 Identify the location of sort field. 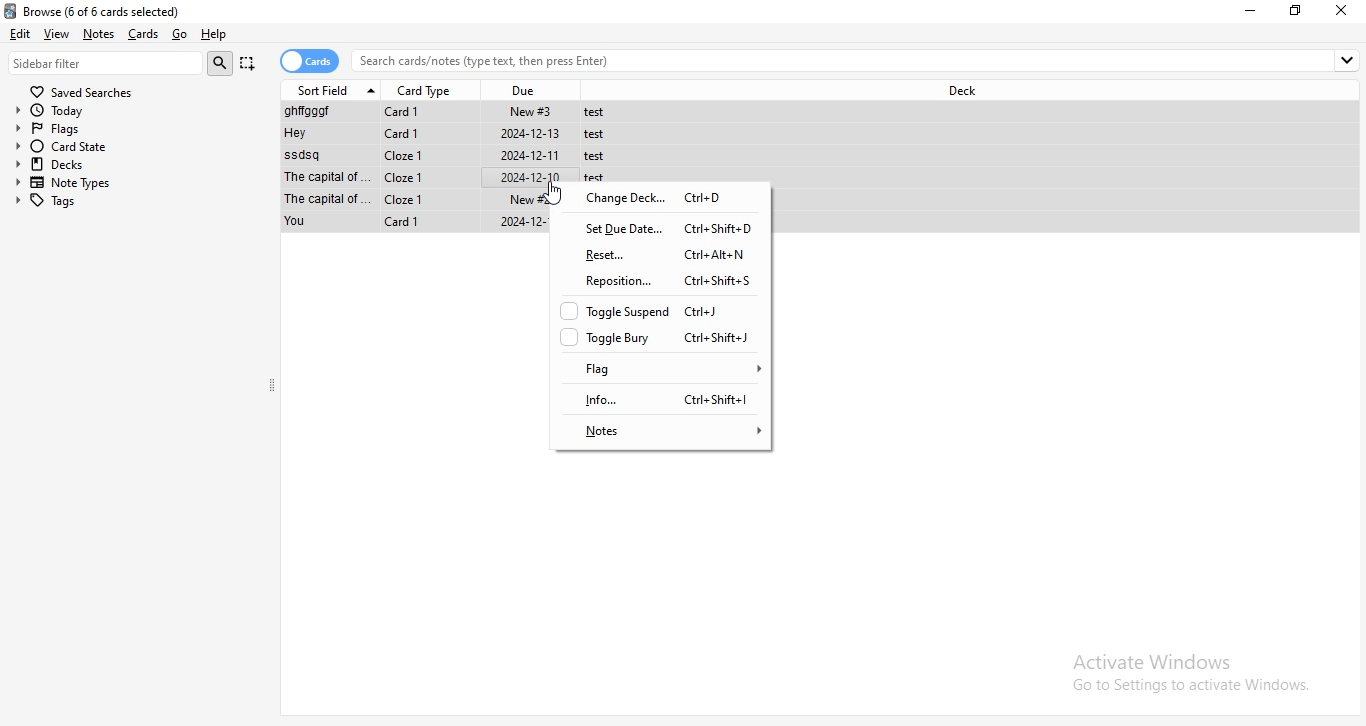
(334, 89).